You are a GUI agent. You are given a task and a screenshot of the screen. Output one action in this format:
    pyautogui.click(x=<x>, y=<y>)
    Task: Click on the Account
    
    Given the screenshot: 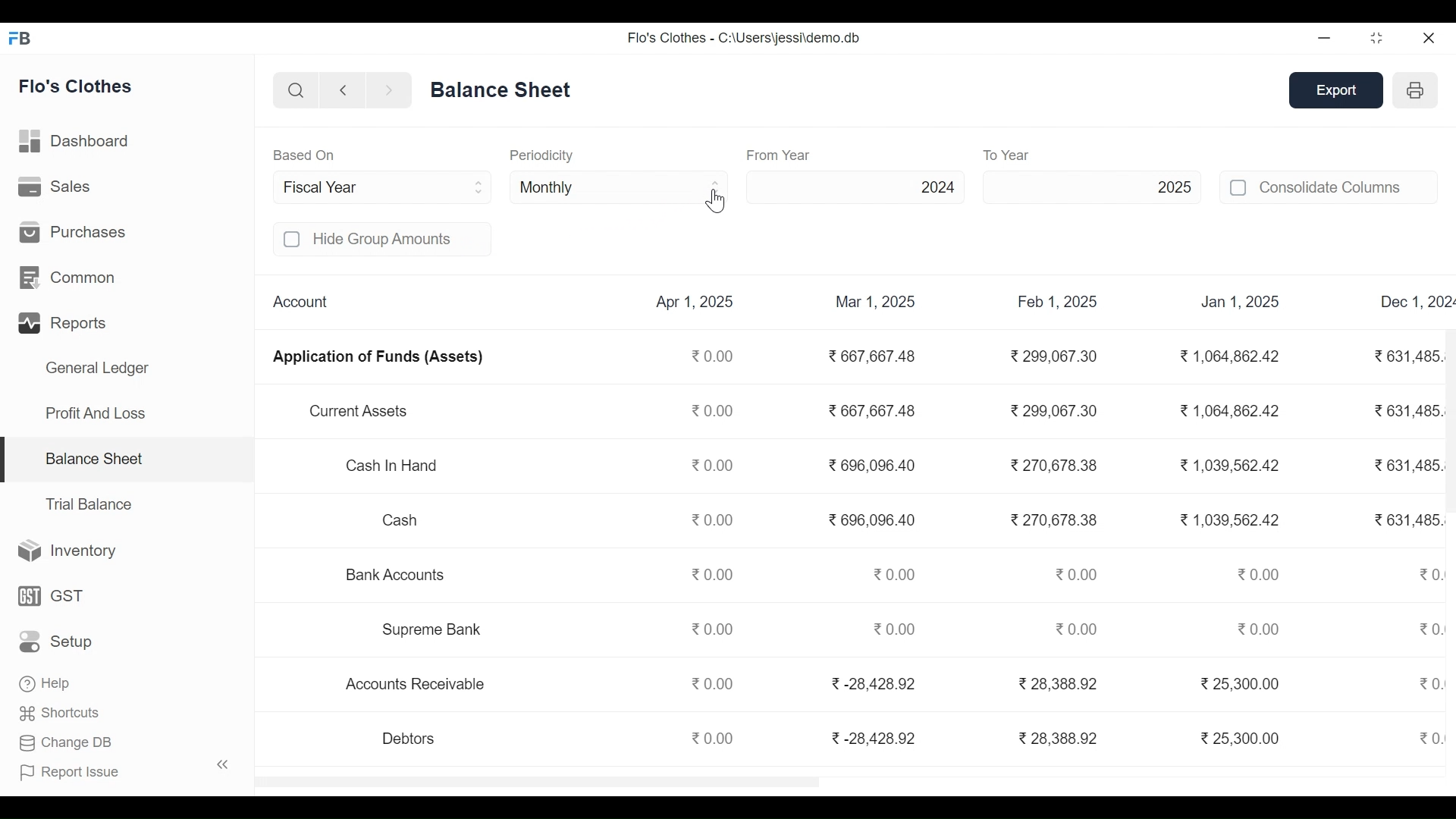 What is the action you would take?
    pyautogui.click(x=298, y=300)
    